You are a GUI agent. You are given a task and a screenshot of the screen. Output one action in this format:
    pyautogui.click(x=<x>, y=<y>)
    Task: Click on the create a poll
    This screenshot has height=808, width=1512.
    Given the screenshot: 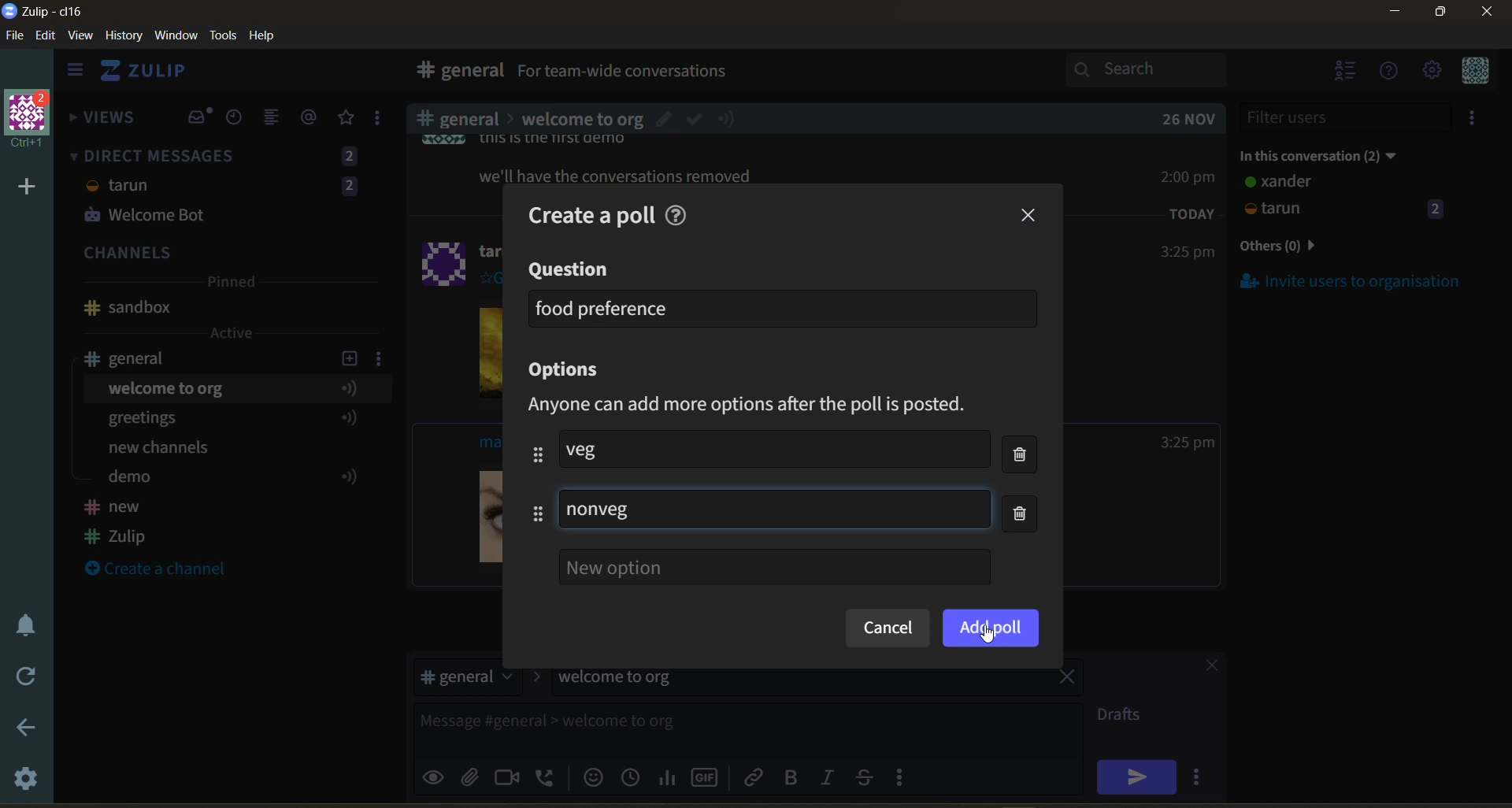 What is the action you would take?
    pyautogui.click(x=582, y=210)
    